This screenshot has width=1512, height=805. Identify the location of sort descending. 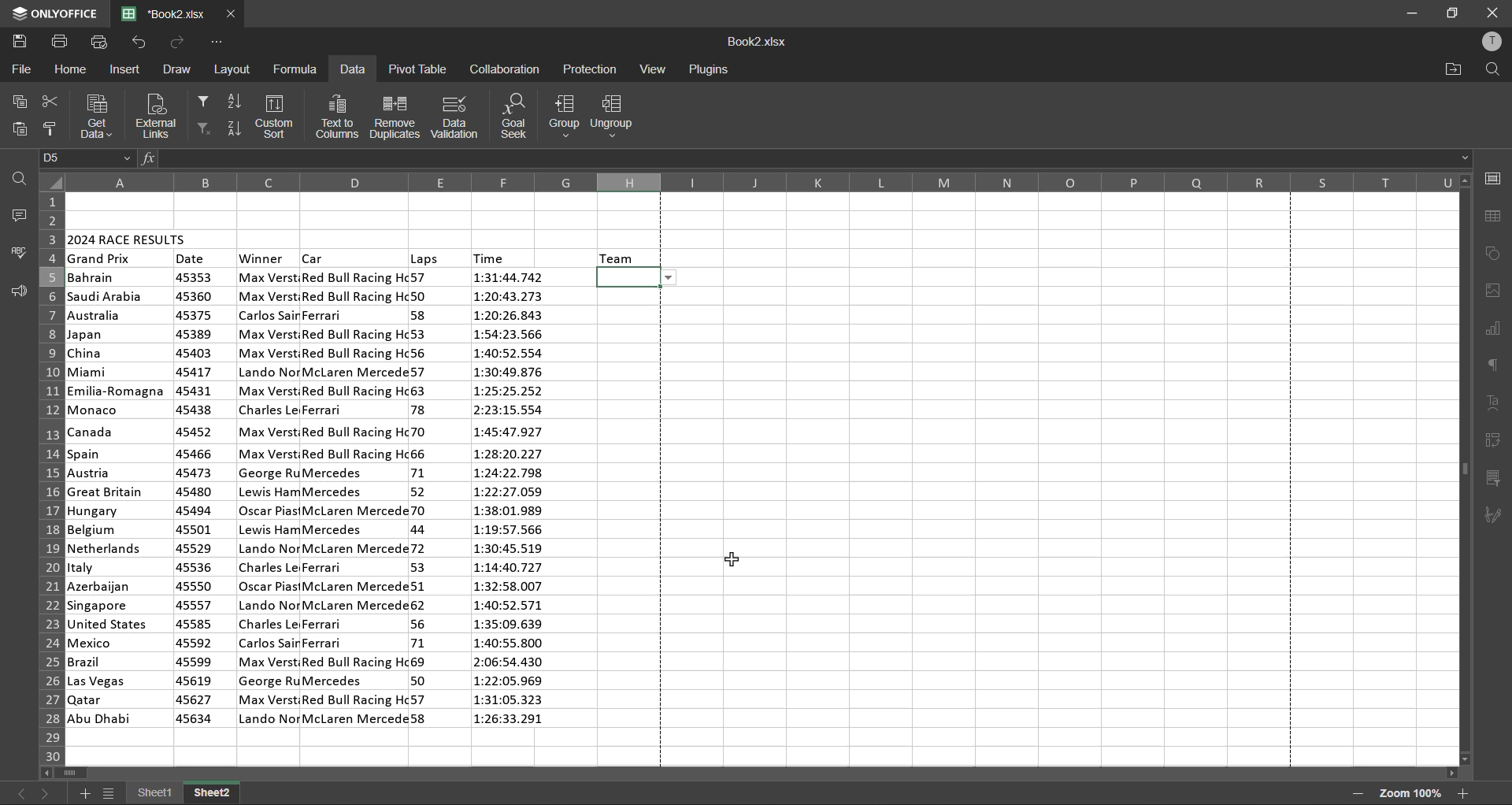
(234, 126).